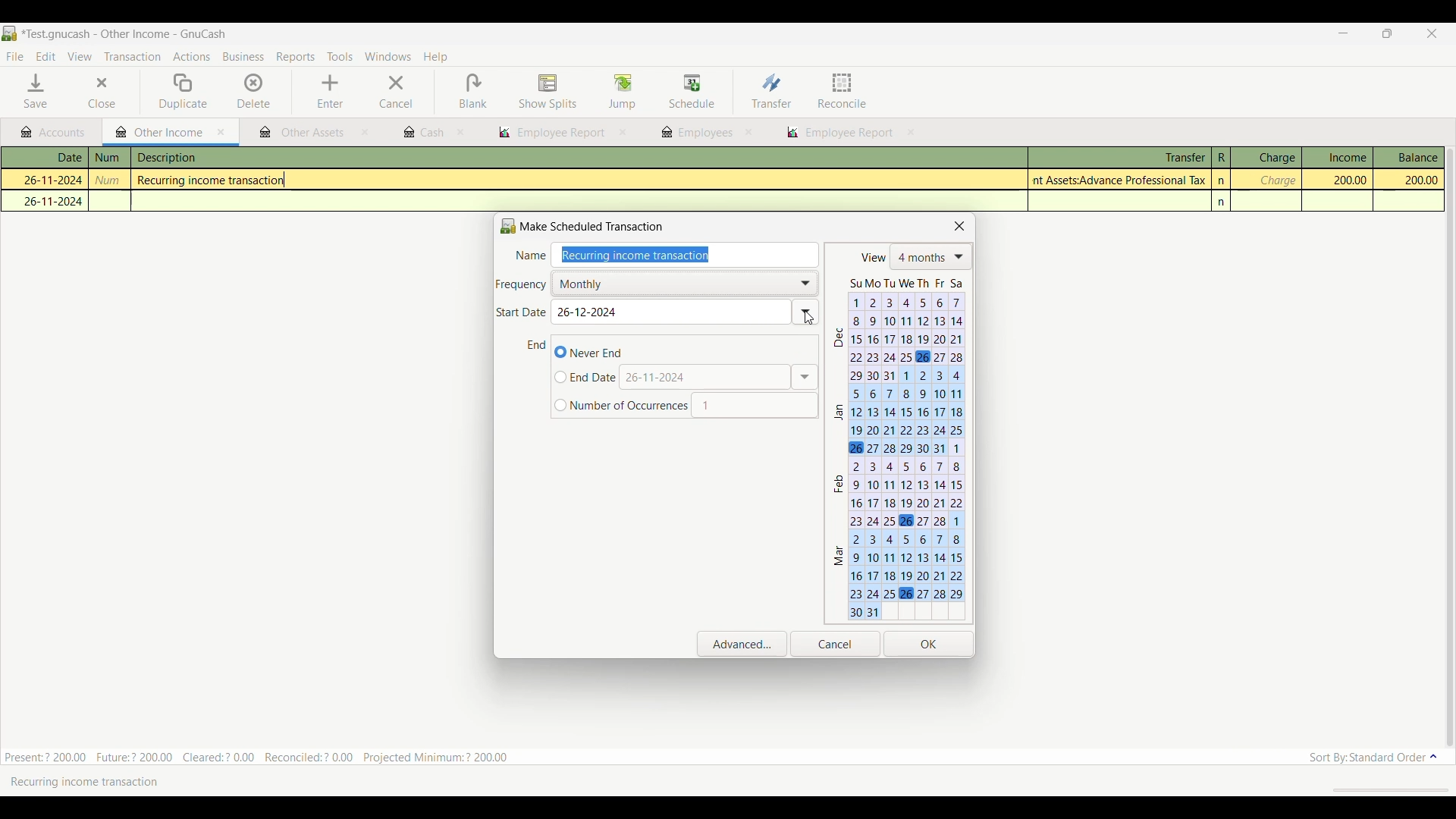  What do you see at coordinates (1390, 35) in the screenshot?
I see `Show interface in a smaller tab` at bounding box center [1390, 35].